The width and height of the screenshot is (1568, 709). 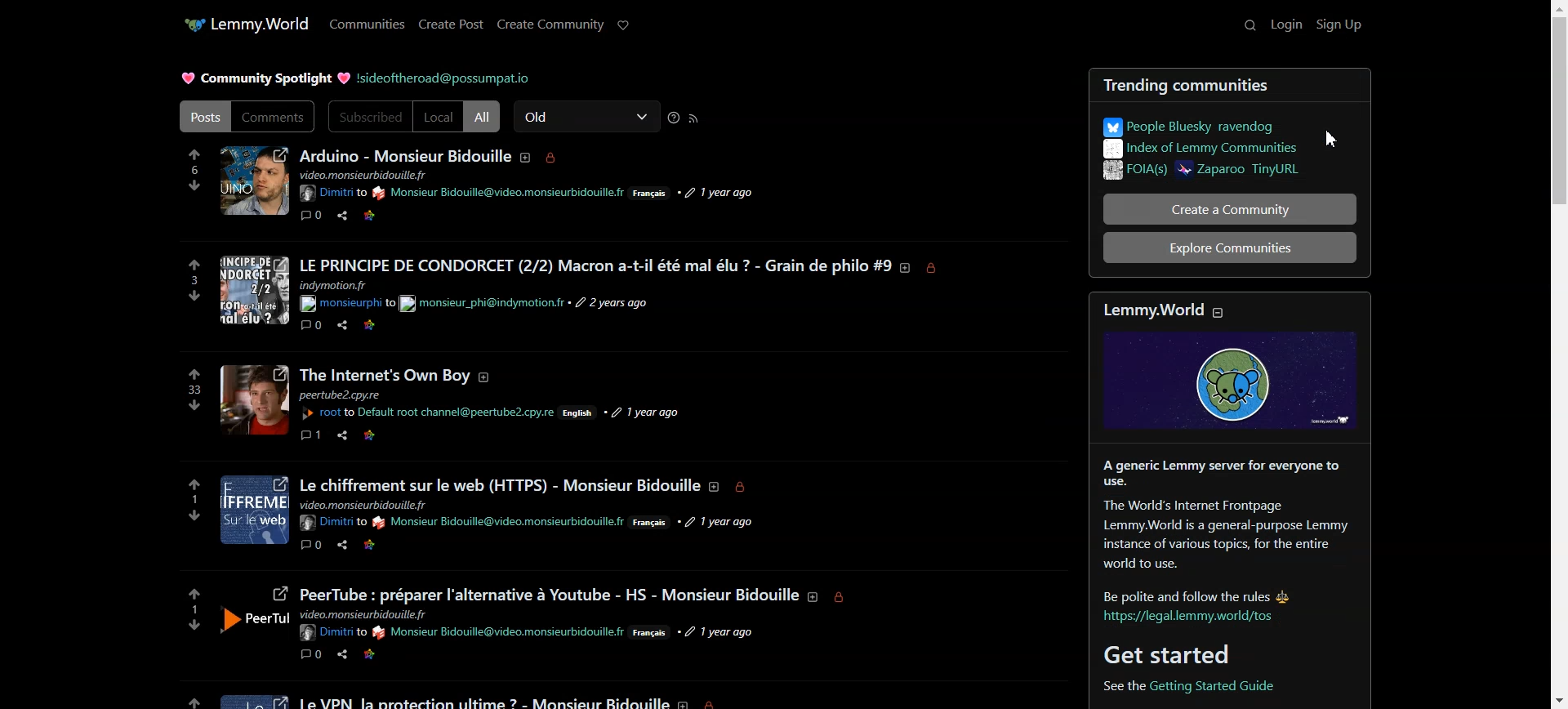 I want to click on Image, so click(x=1232, y=395).